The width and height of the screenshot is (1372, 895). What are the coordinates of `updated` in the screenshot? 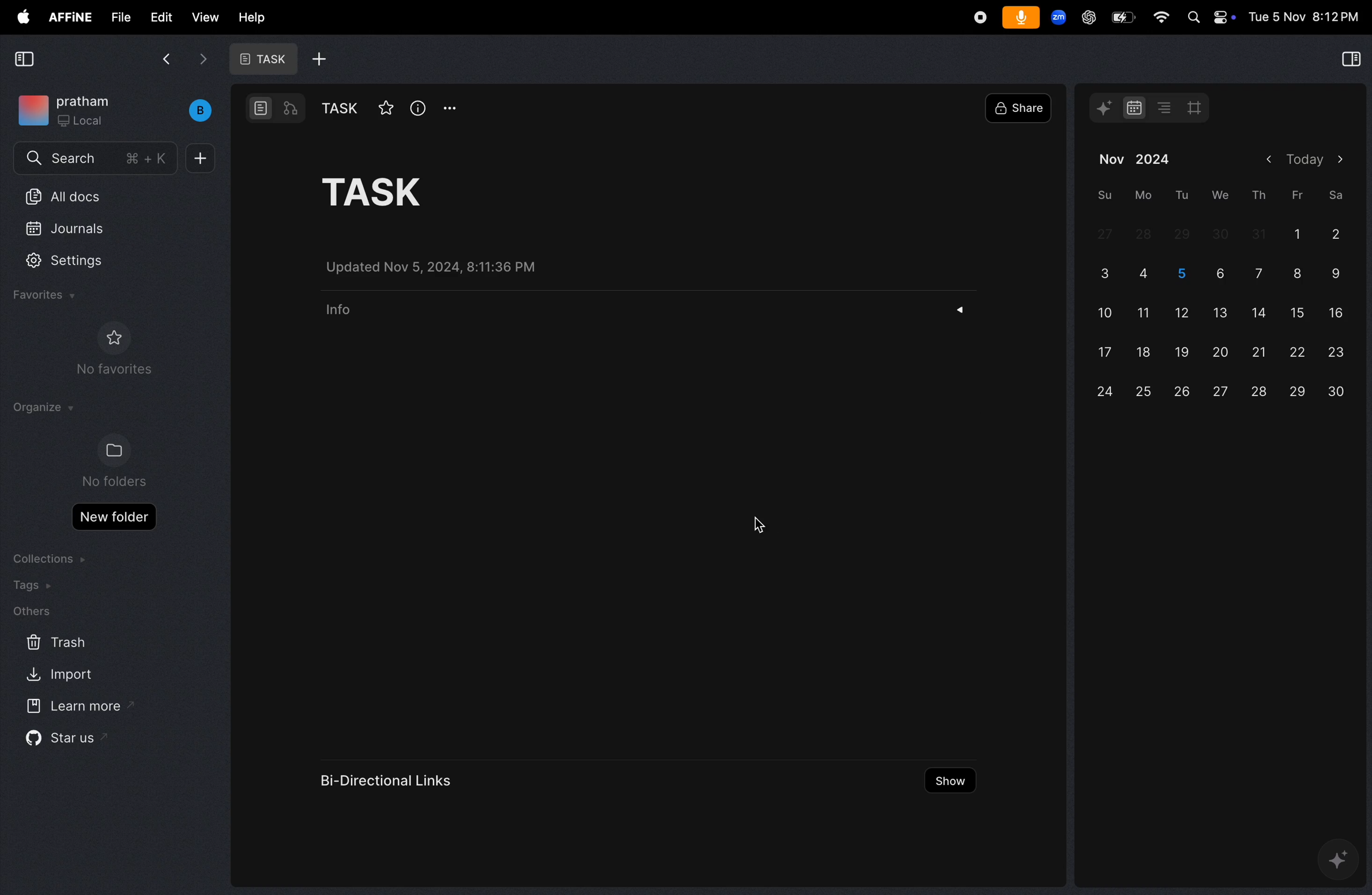 It's located at (443, 267).